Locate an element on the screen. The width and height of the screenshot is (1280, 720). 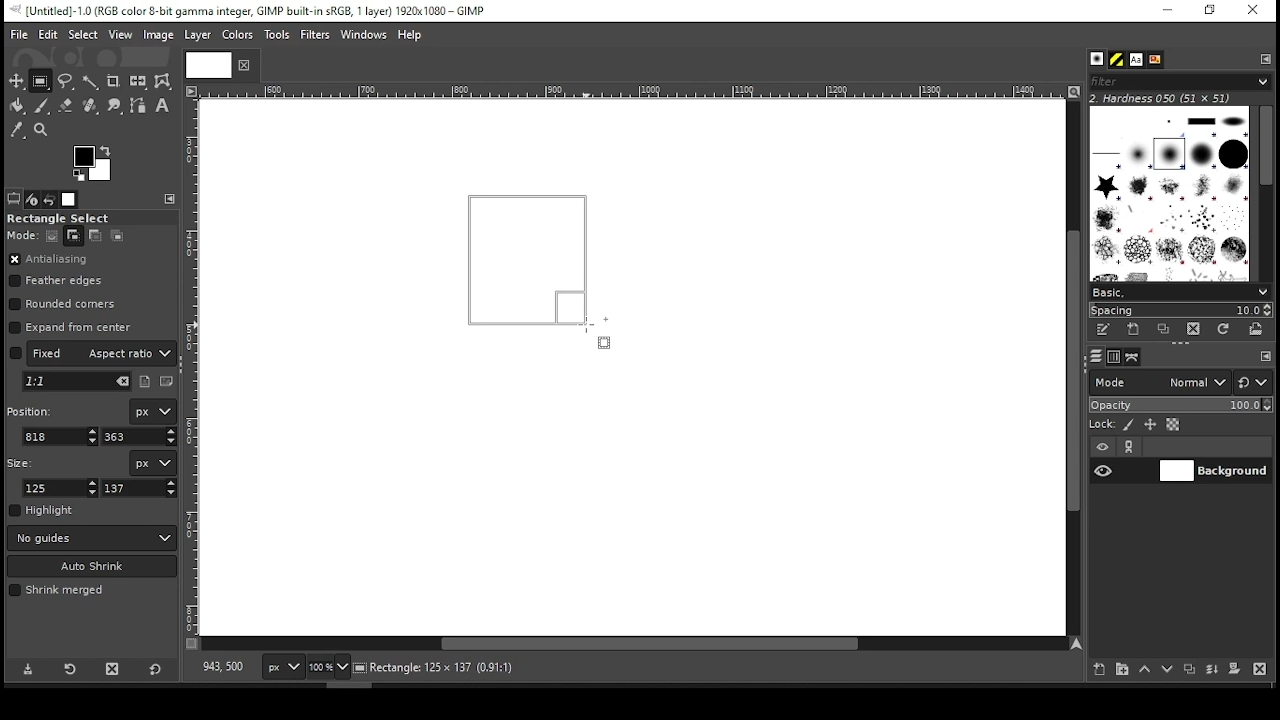
help is located at coordinates (410, 36).